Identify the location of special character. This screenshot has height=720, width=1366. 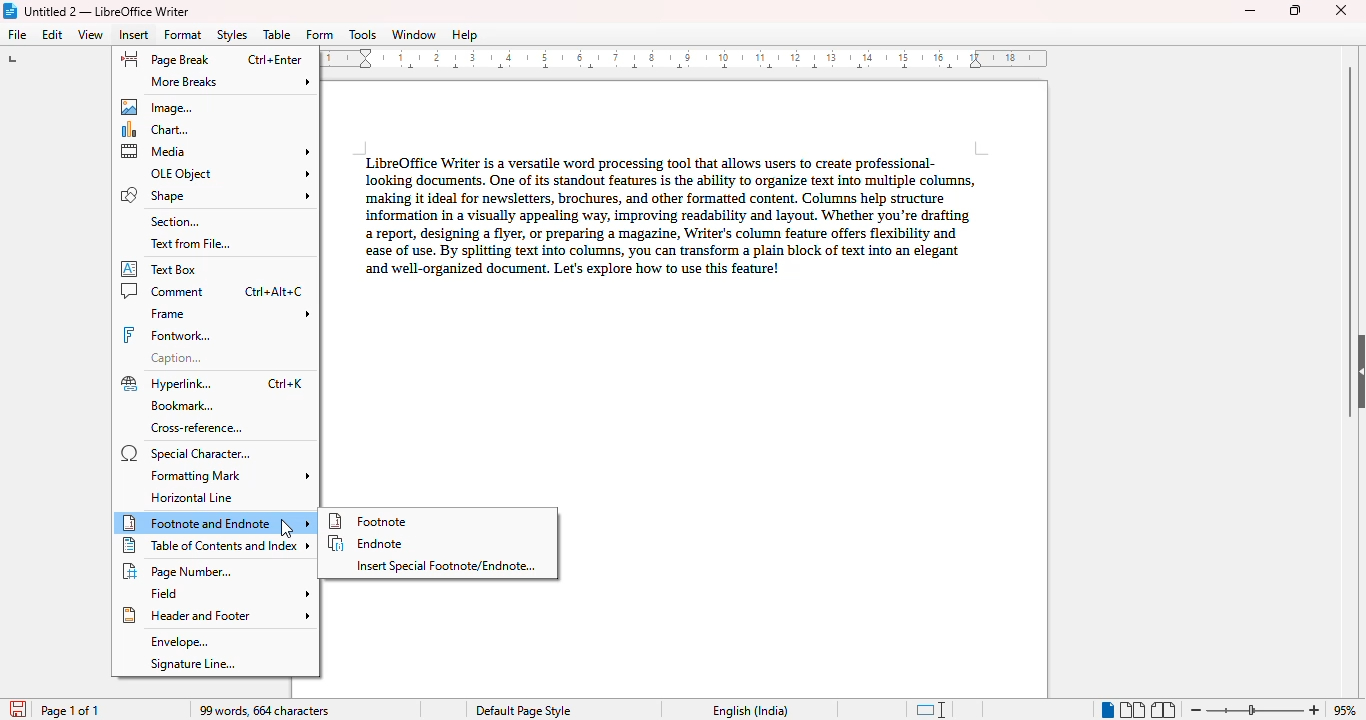
(187, 454).